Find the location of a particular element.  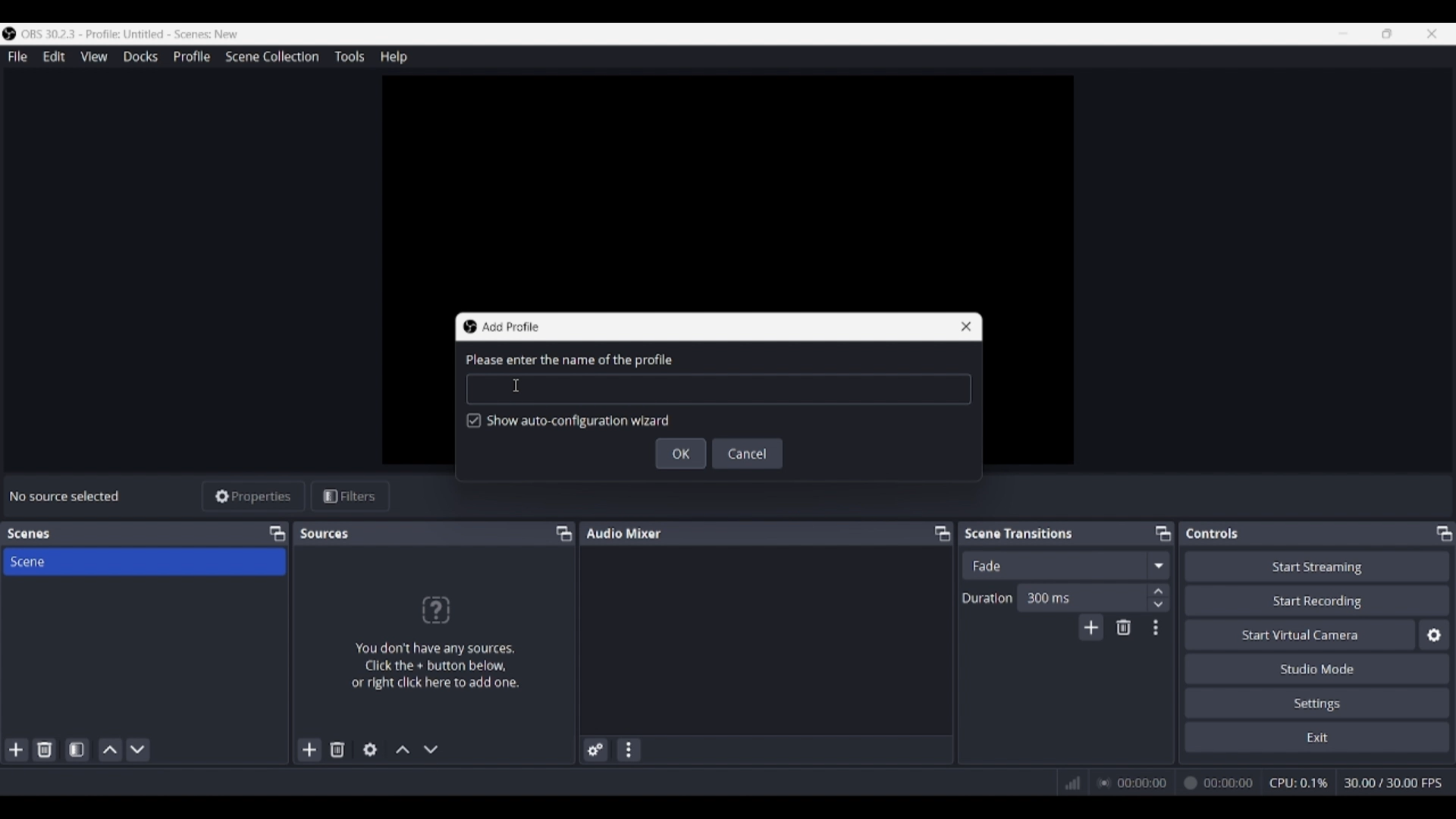

Increase/Decrease duration is located at coordinates (1159, 597).